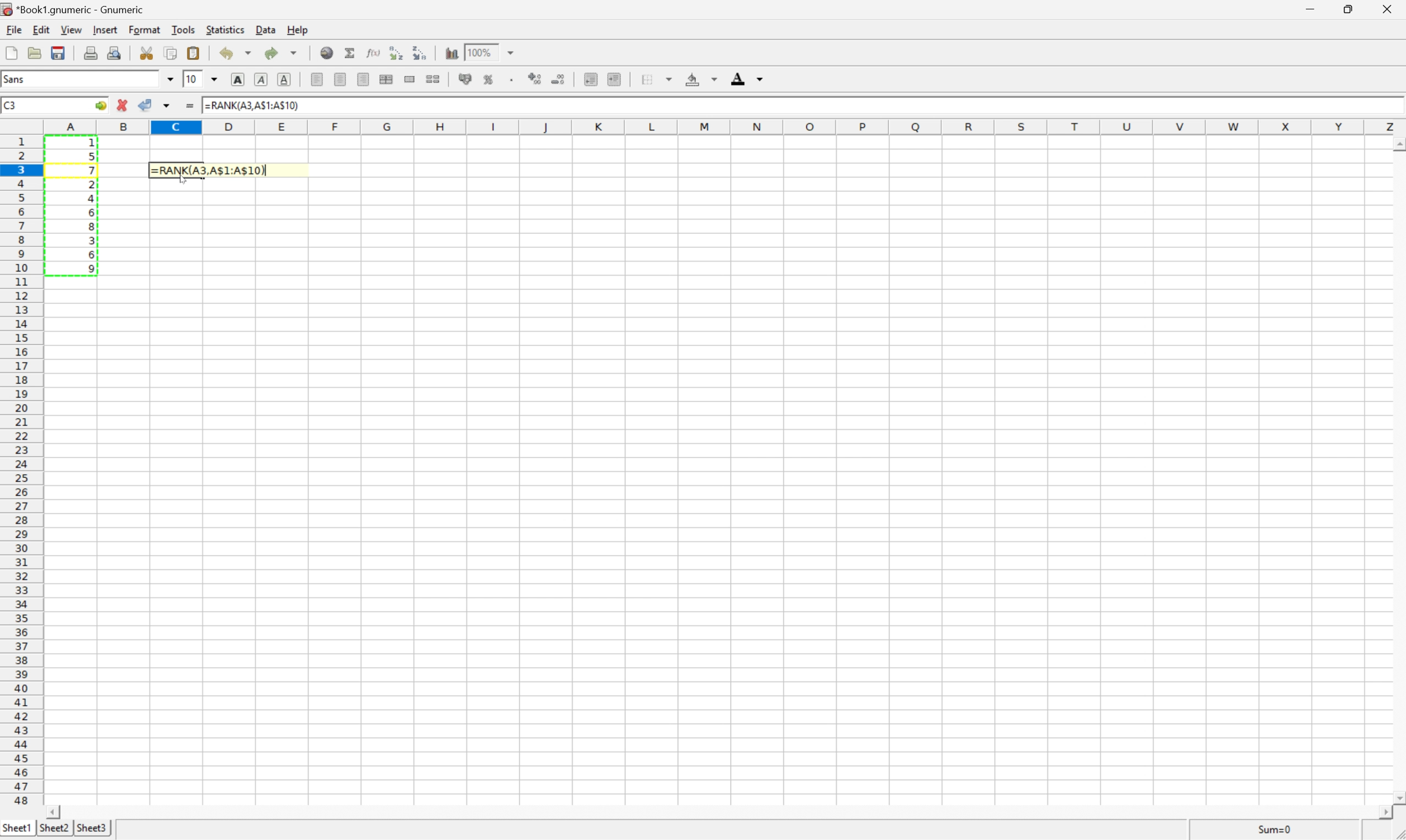 The image size is (1406, 840). I want to click on split range of merged cells, so click(436, 78).